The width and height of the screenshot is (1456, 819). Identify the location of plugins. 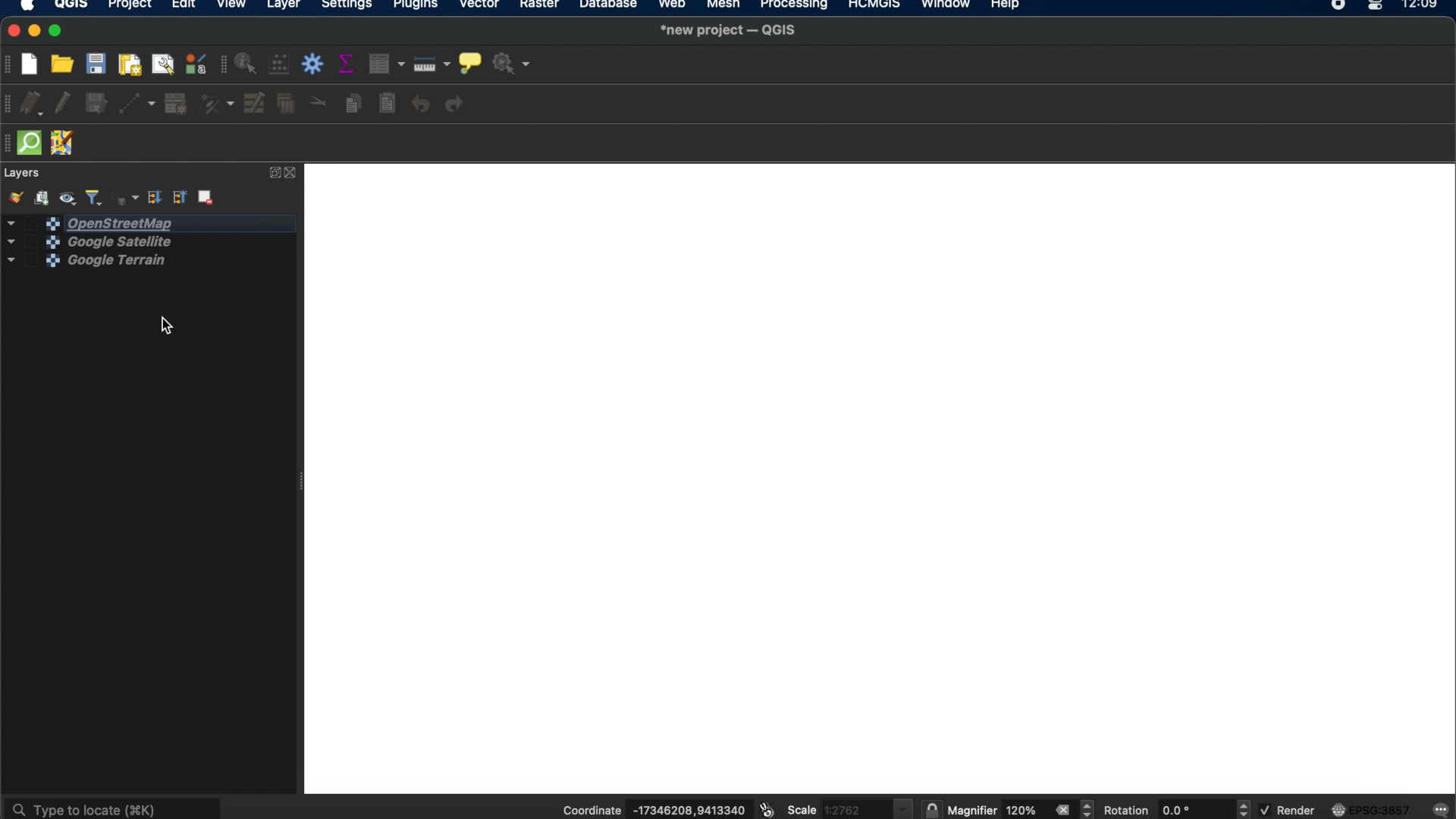
(416, 6).